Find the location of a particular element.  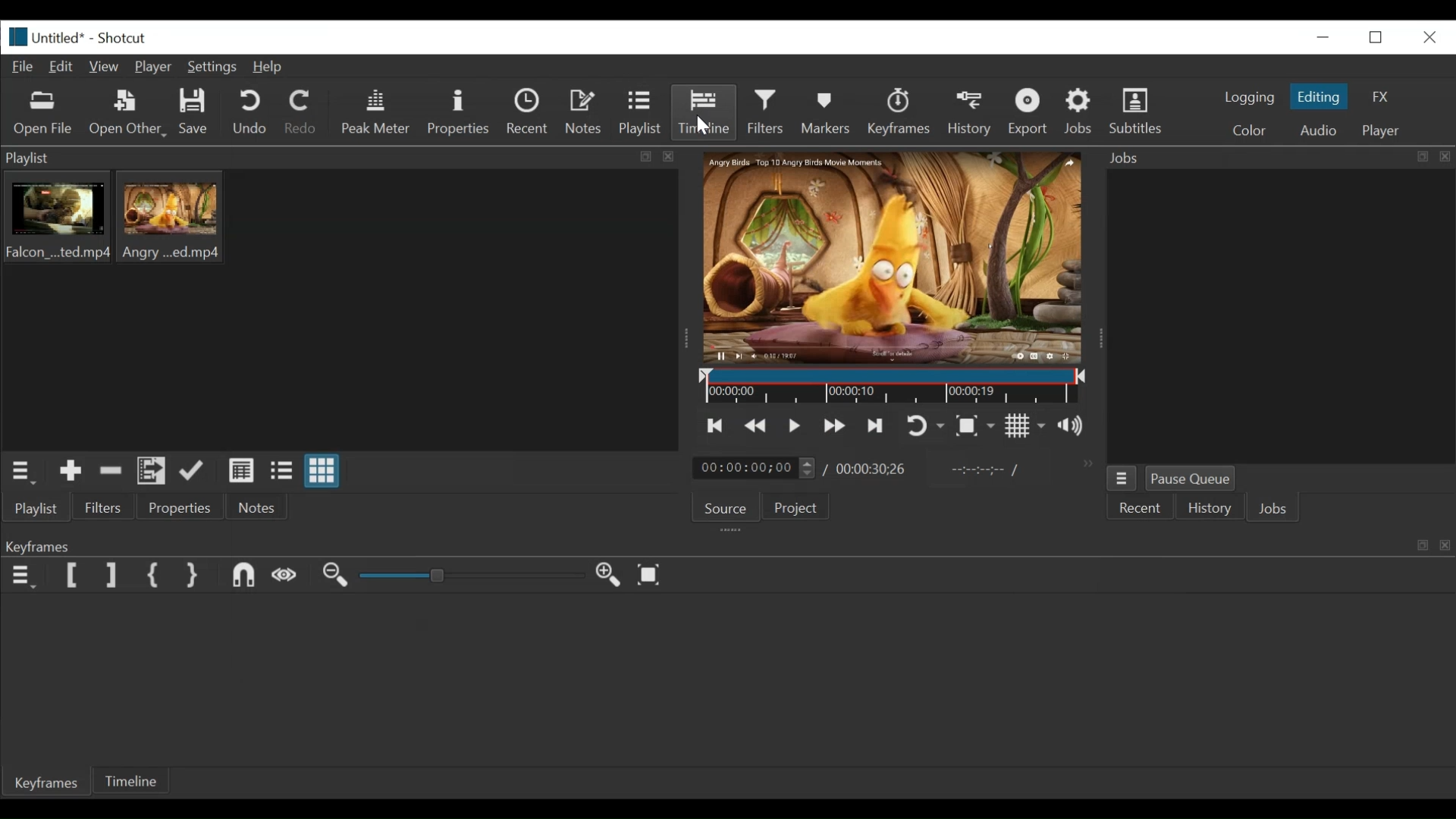

File is located at coordinates (26, 67).